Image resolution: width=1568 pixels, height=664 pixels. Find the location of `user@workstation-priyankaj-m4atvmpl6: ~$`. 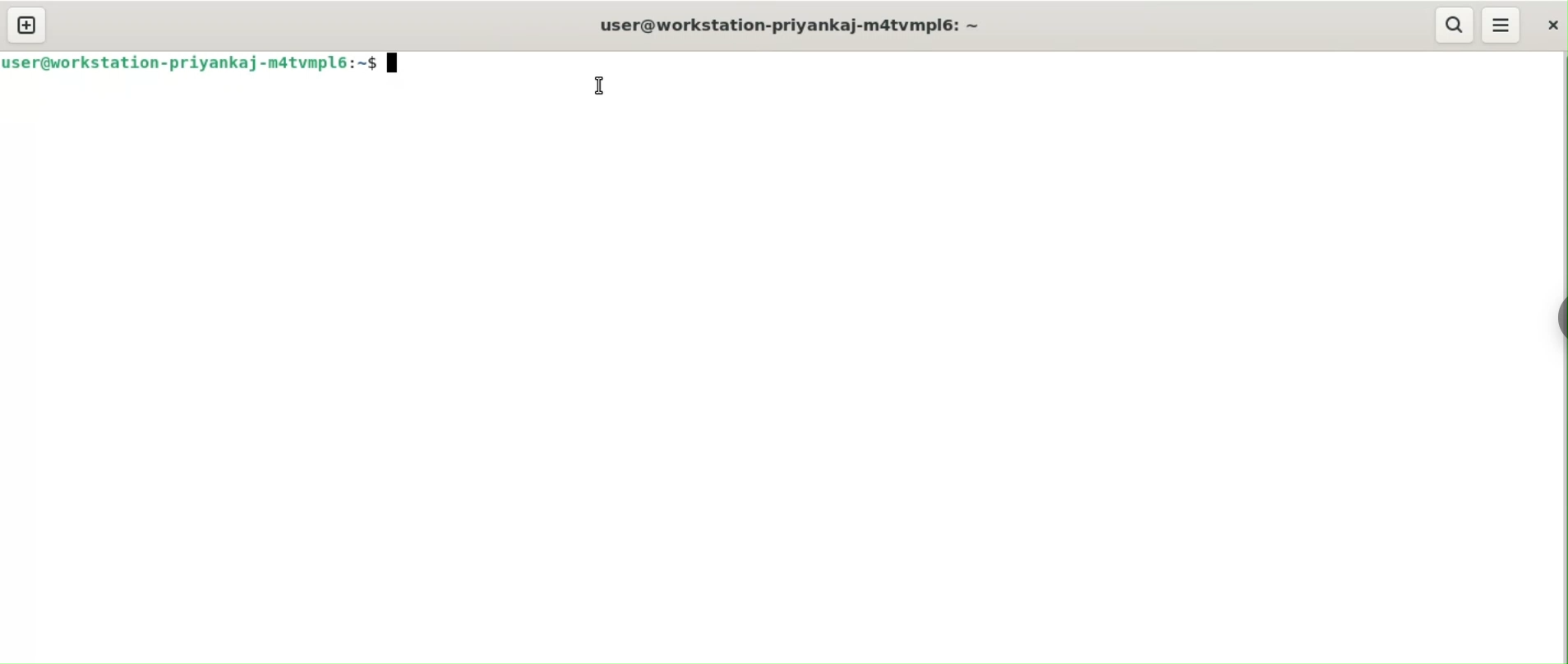

user@workstation-priyankaj-m4atvmpl6: ~$ is located at coordinates (199, 61).